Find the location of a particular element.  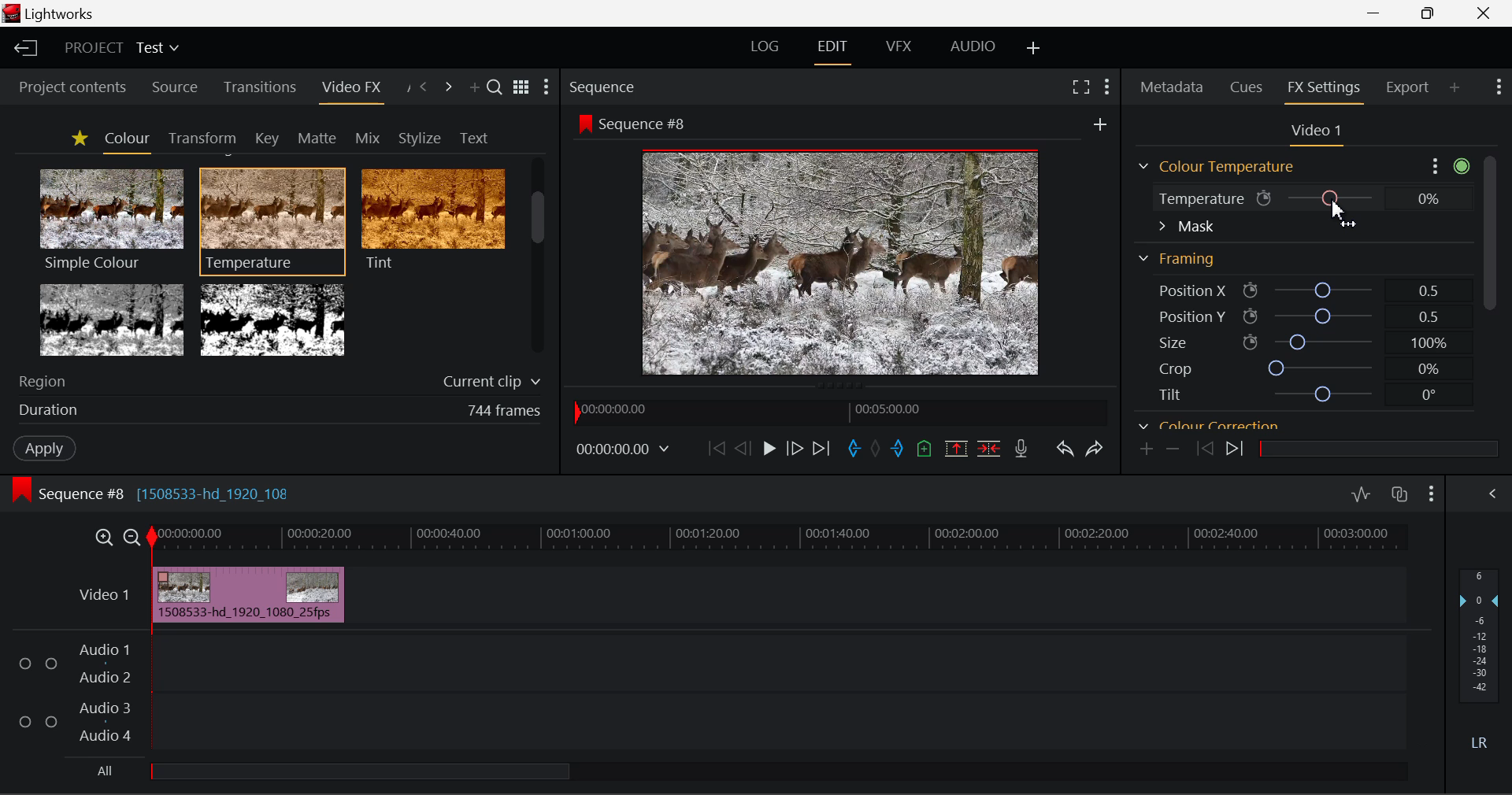

Effect Added is located at coordinates (250, 594).